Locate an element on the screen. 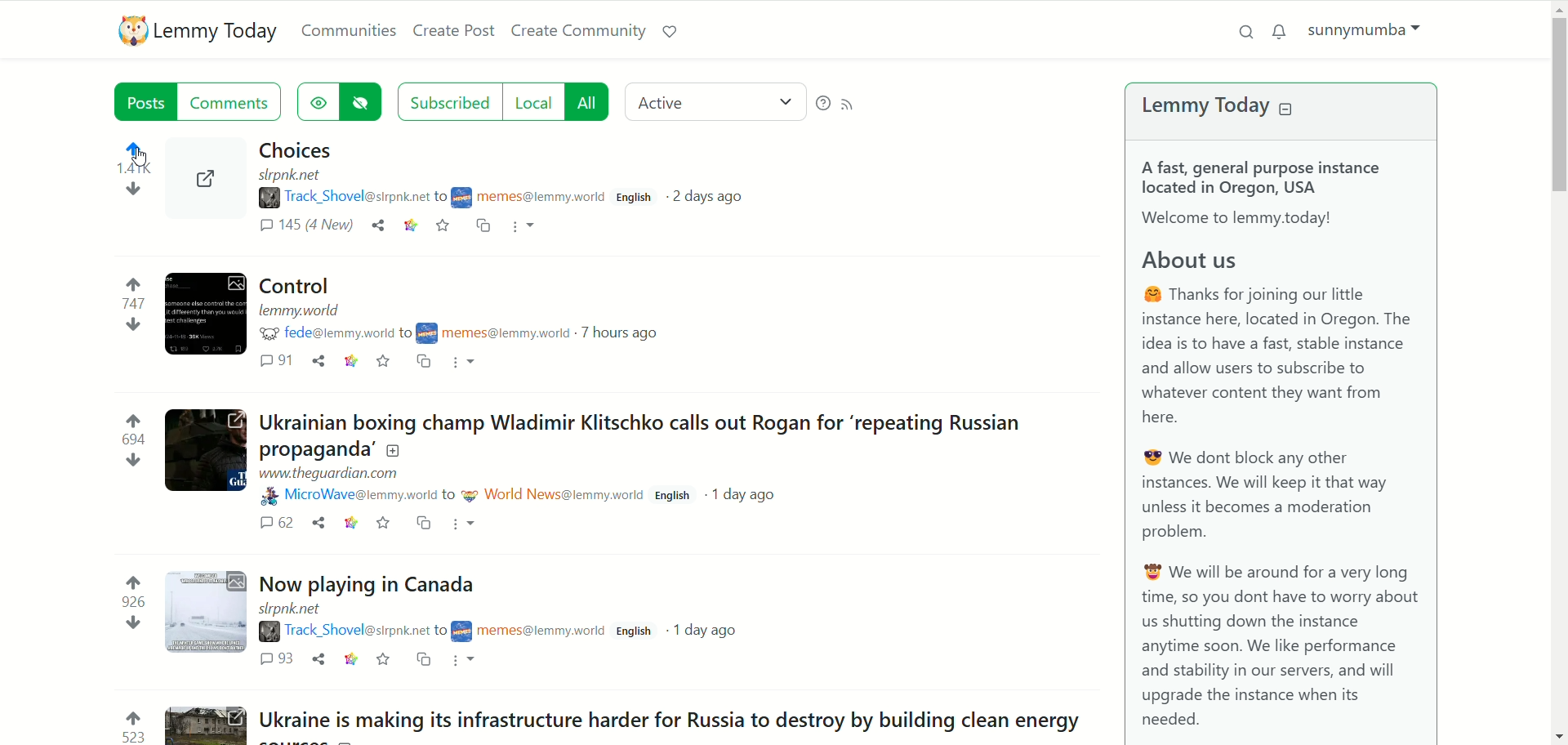 This screenshot has height=745, width=1568. poster image is located at coordinates (269, 199).